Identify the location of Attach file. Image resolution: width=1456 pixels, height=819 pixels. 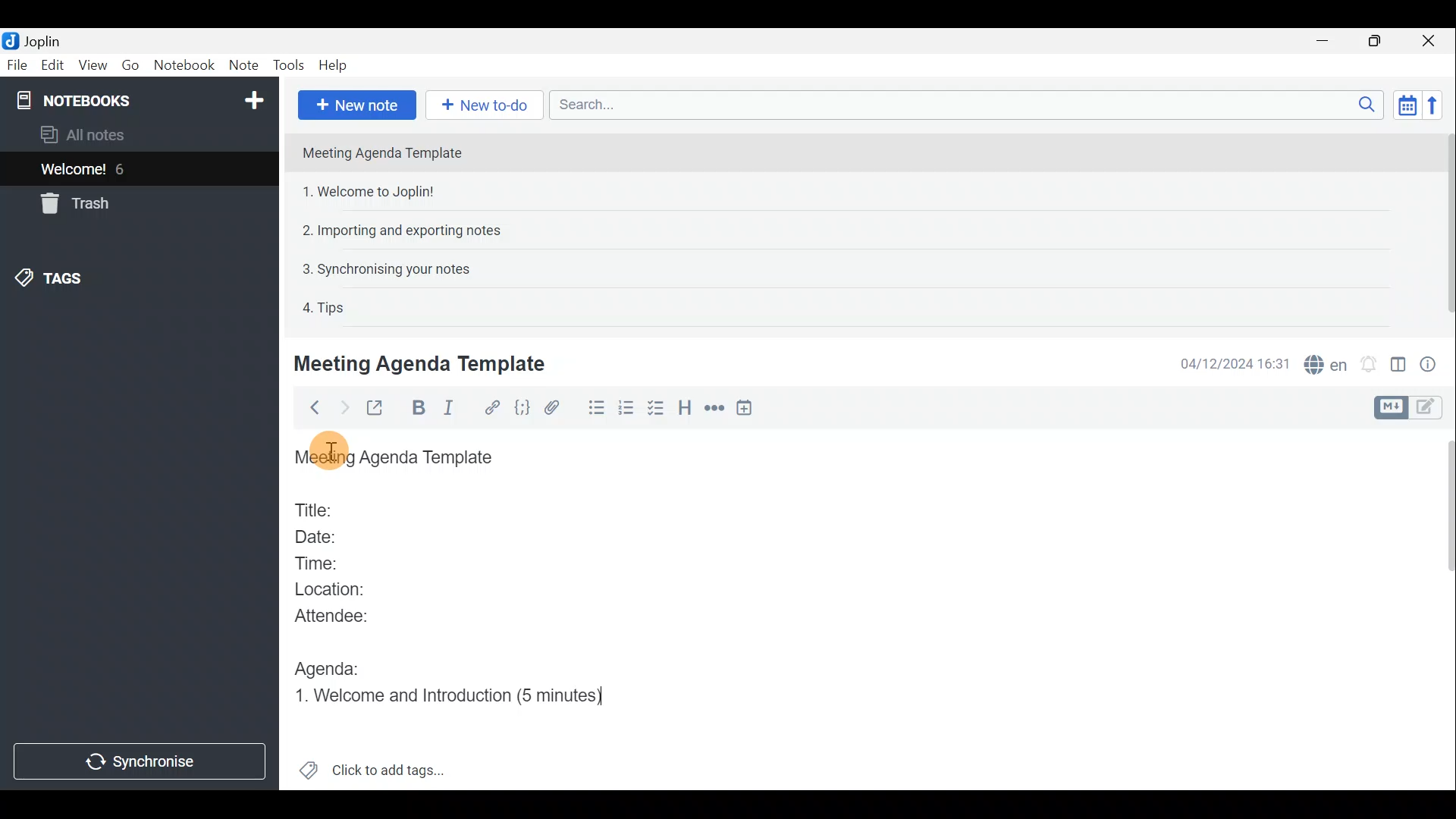
(559, 408).